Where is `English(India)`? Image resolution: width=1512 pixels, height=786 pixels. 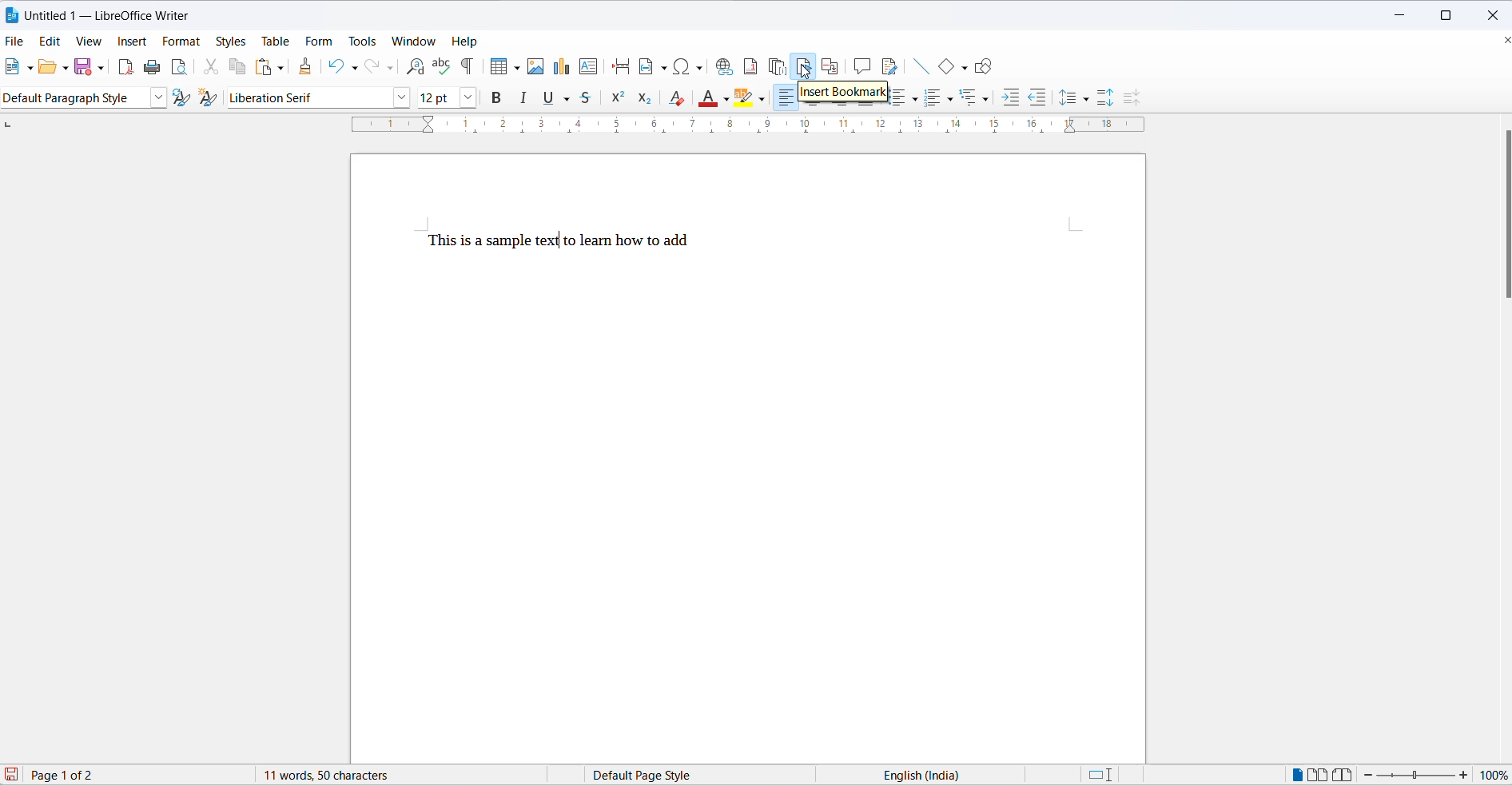 English(India) is located at coordinates (930, 775).